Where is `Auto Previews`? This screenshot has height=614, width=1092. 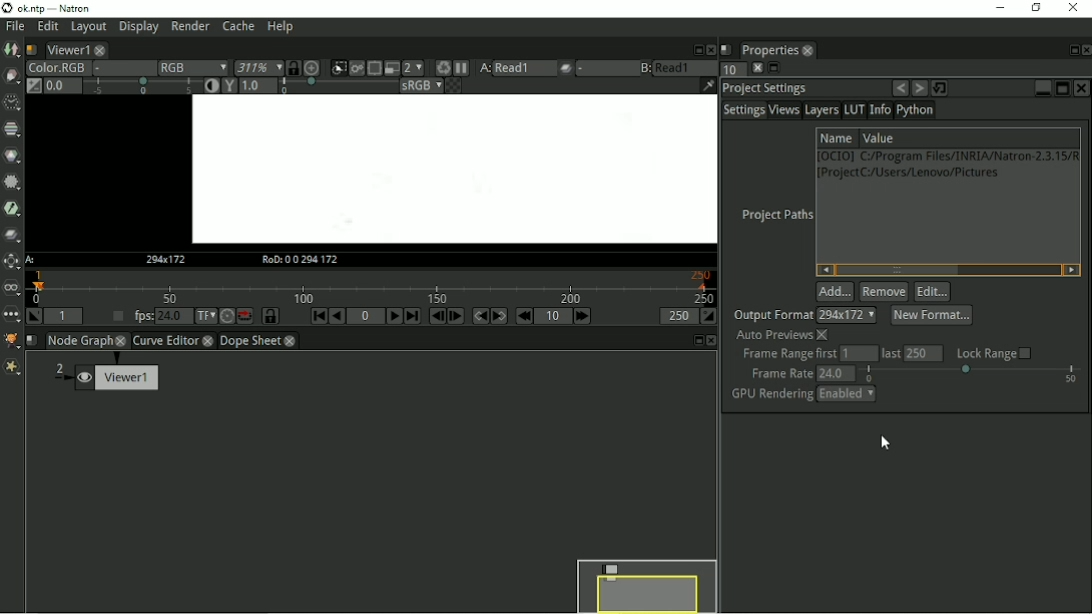 Auto Previews is located at coordinates (782, 335).